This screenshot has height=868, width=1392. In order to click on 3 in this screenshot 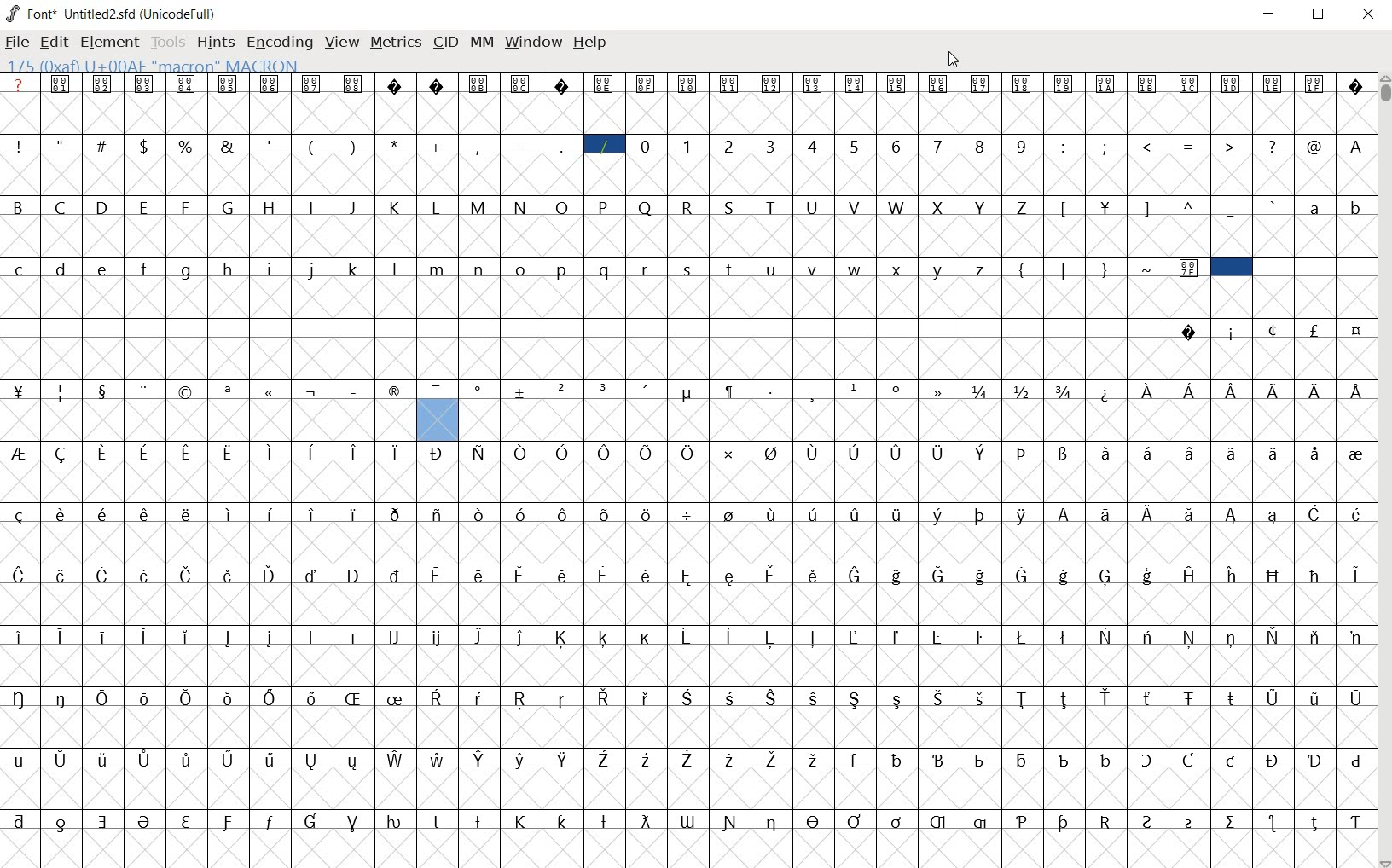, I will do `click(772, 146)`.